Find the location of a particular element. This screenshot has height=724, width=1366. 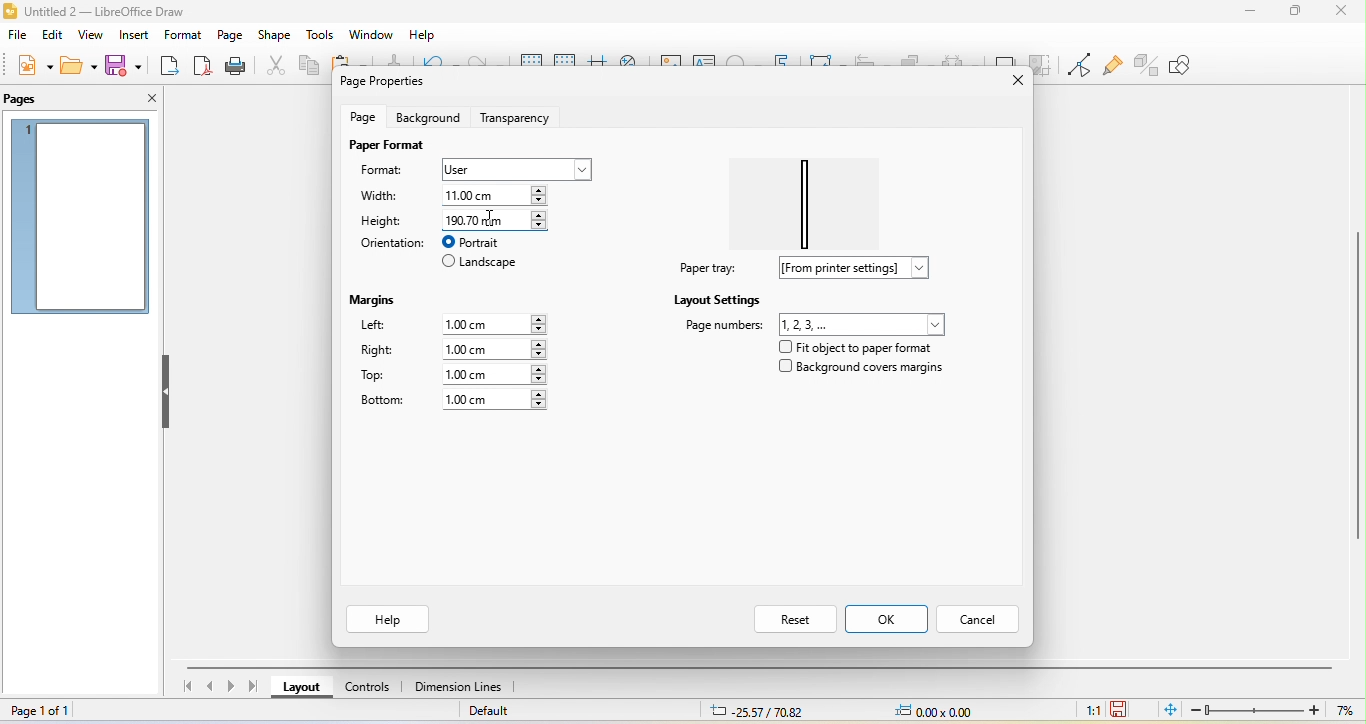

export directly as pdf is located at coordinates (202, 66).